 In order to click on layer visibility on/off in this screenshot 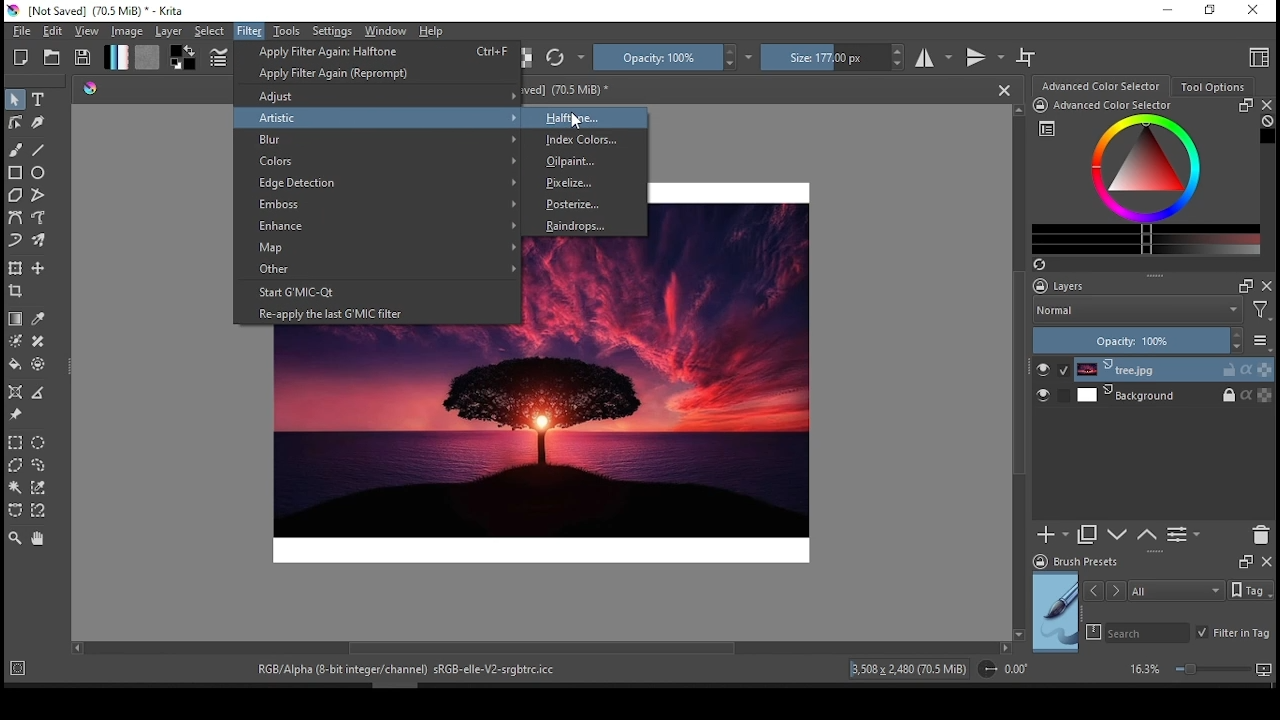, I will do `click(1048, 396)`.